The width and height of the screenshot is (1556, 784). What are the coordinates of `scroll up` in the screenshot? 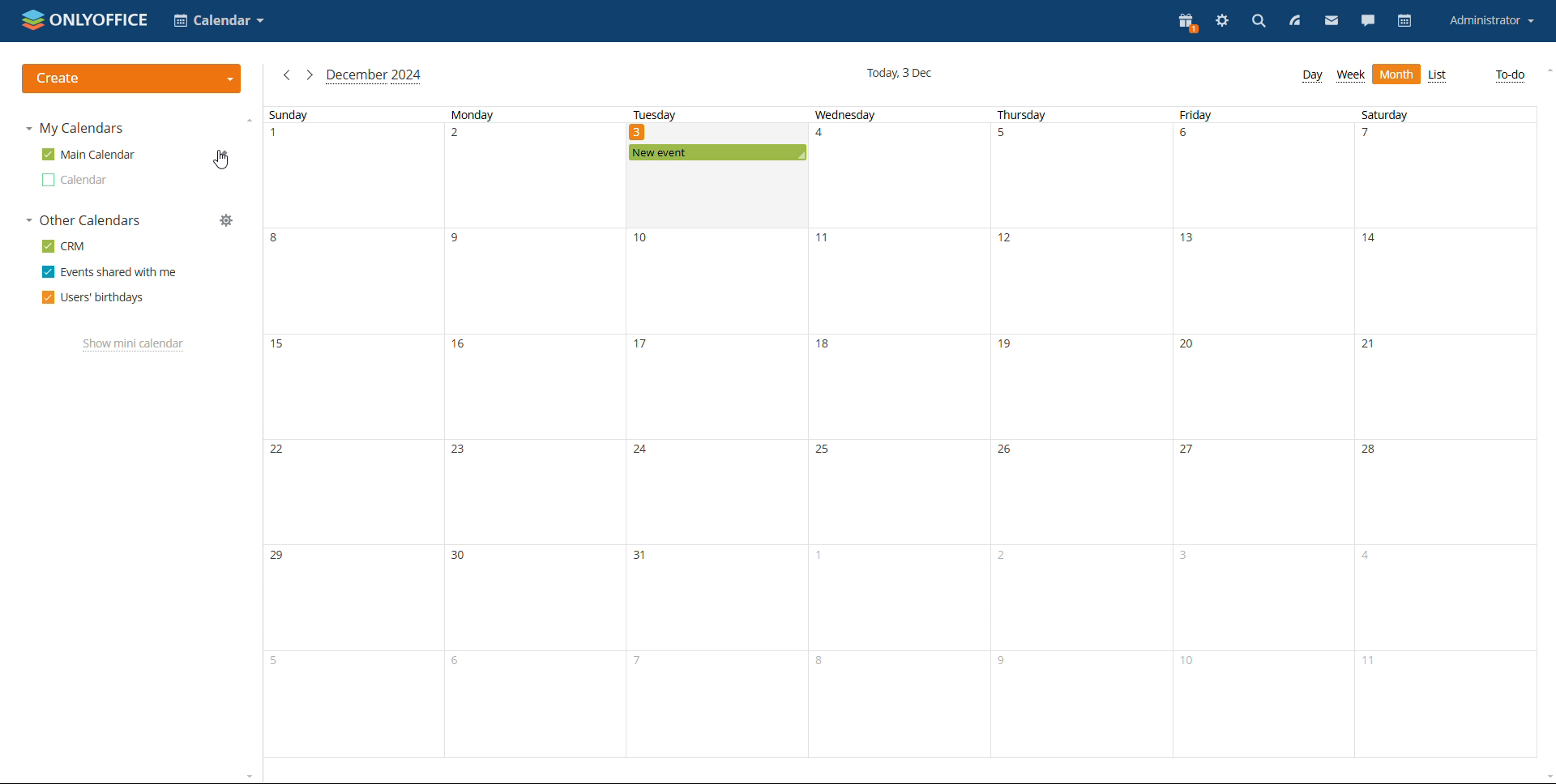 It's located at (1546, 69).